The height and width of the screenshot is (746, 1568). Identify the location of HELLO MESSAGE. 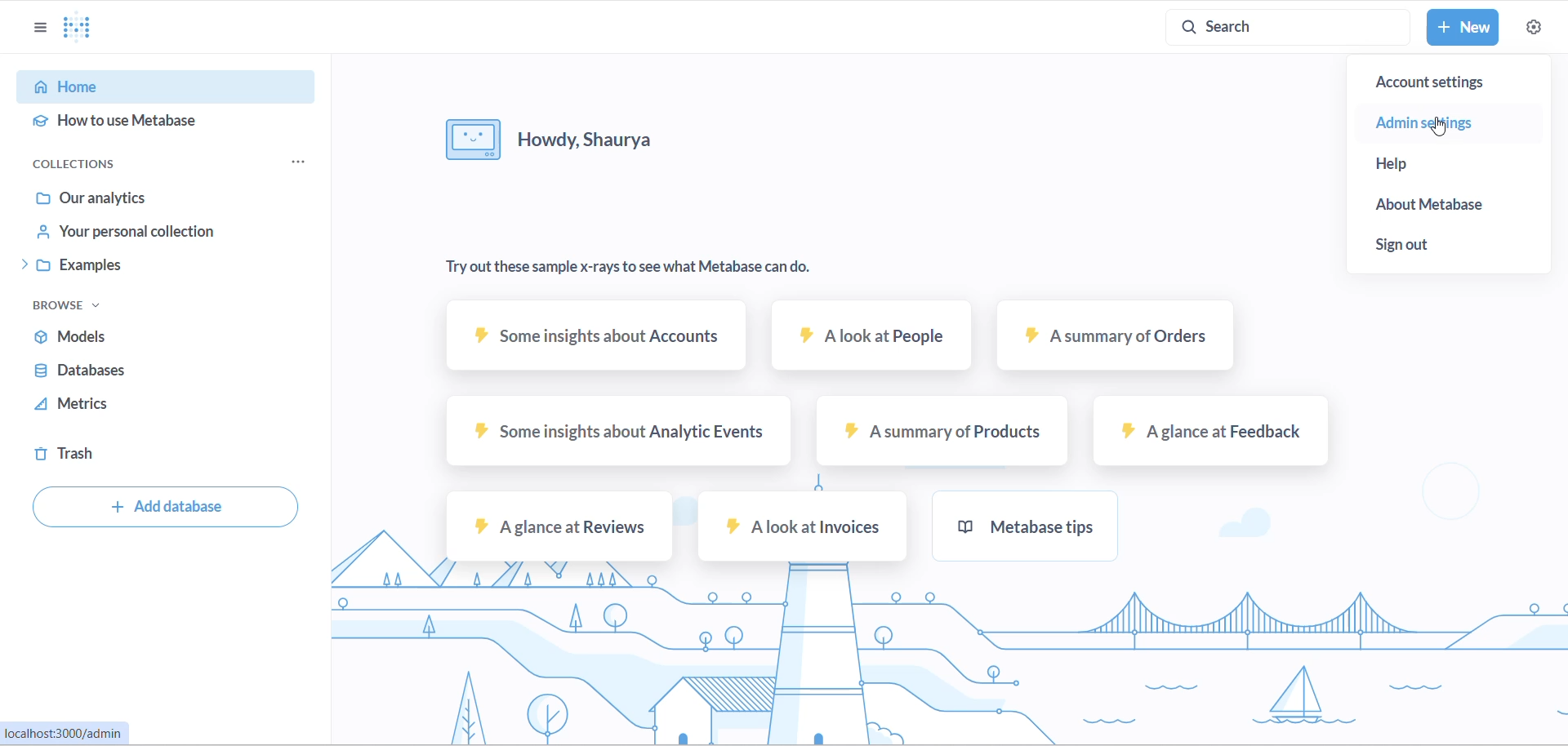
(604, 144).